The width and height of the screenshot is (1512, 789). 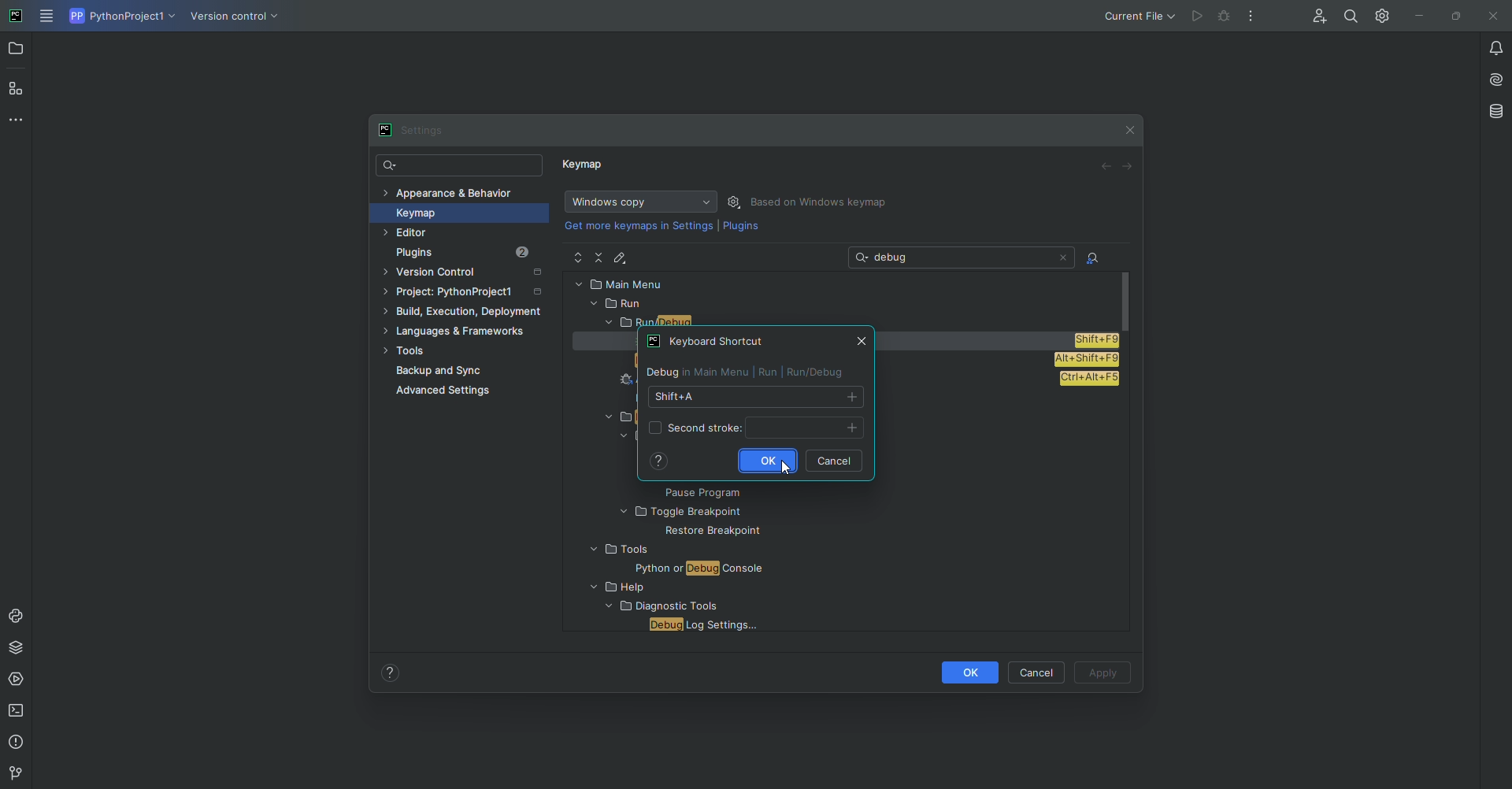 I want to click on Cancel, so click(x=1039, y=672).